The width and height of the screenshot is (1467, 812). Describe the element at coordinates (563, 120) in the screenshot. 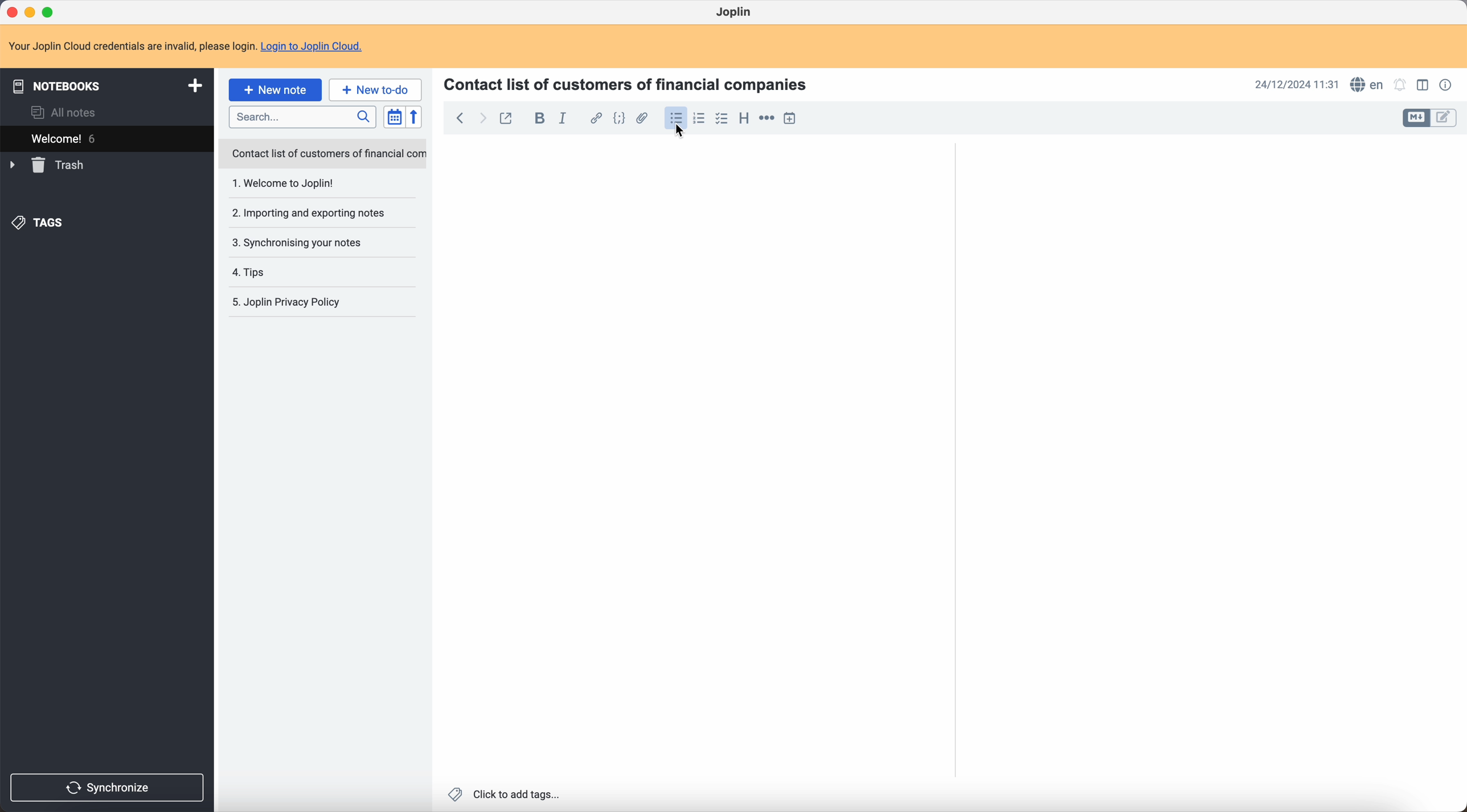

I see `italic` at that location.